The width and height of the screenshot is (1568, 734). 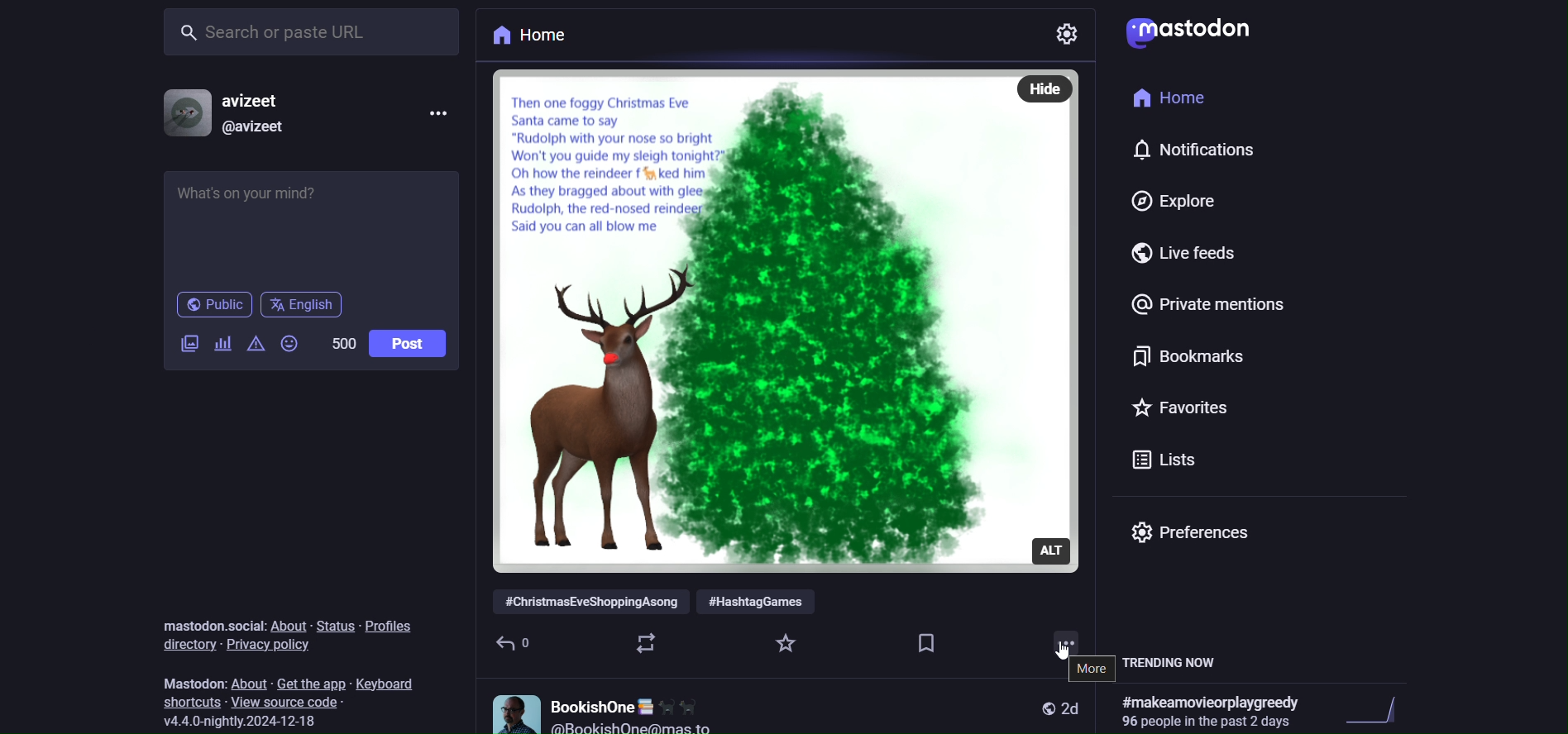 I want to click on directory, so click(x=187, y=643).